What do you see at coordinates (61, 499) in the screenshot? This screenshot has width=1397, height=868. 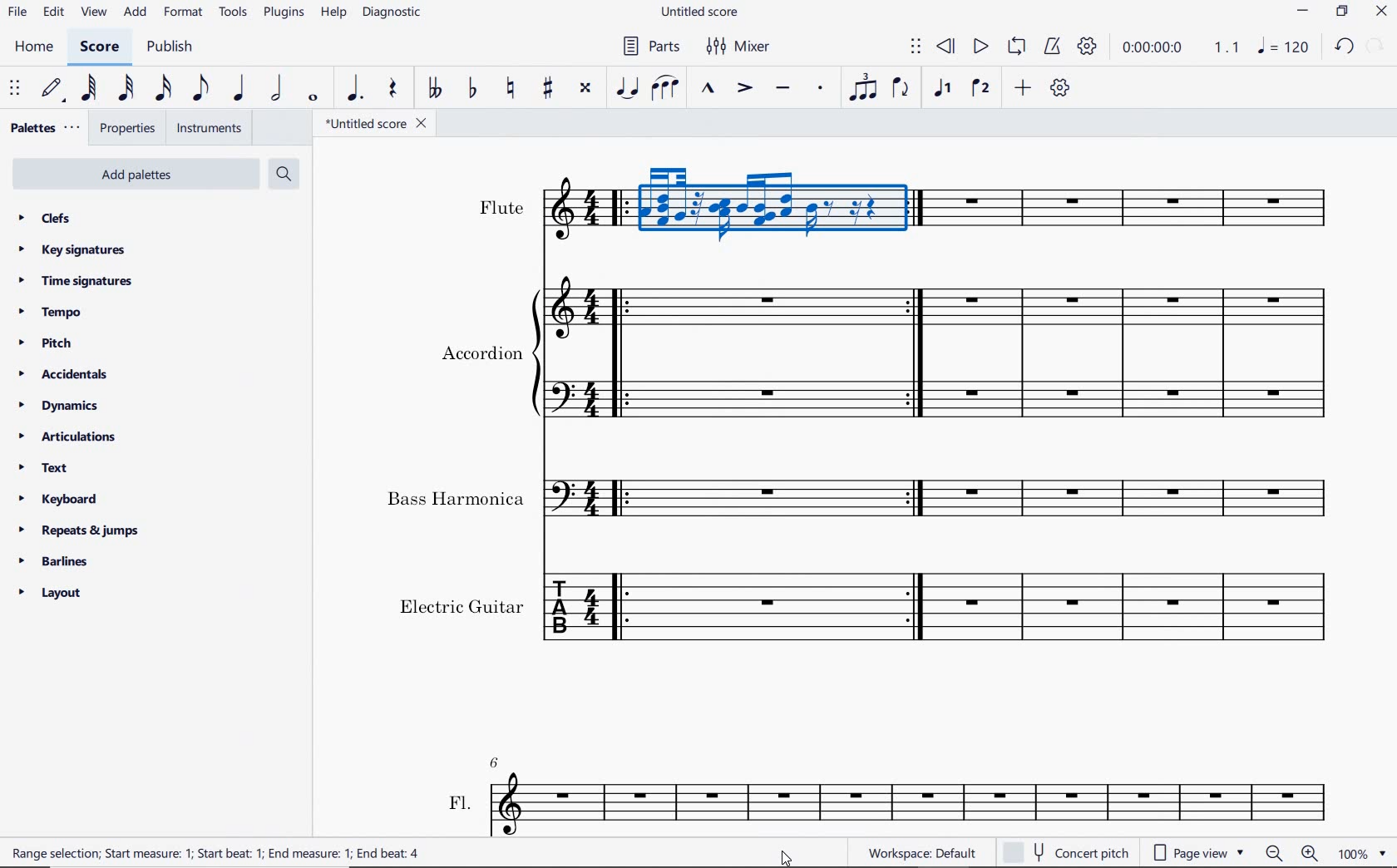 I see `keyboard` at bounding box center [61, 499].